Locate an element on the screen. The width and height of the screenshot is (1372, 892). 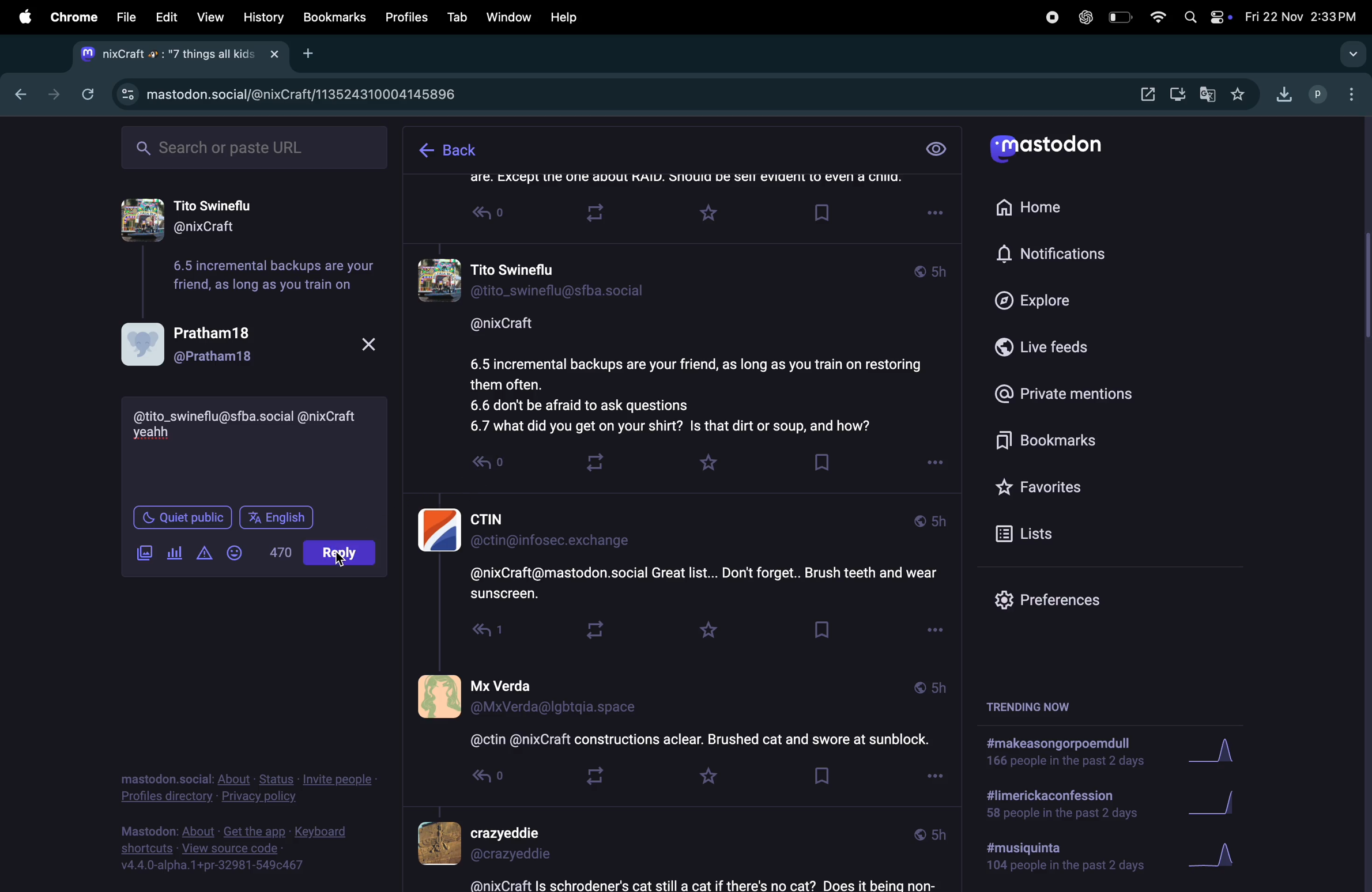
english is located at coordinates (277, 520).